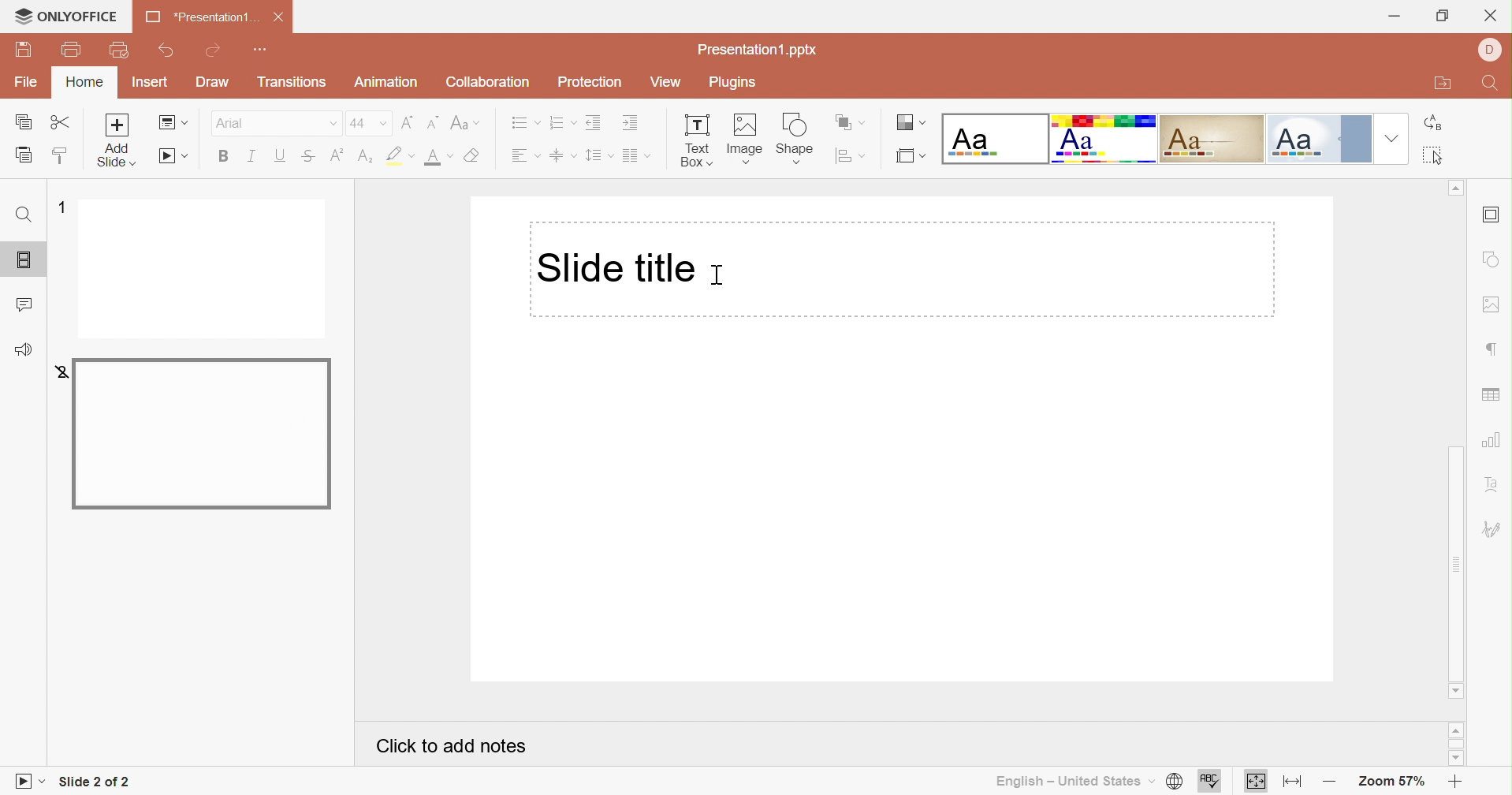 The width and height of the screenshot is (1512, 795). What do you see at coordinates (307, 156) in the screenshot?
I see `Strikethrough` at bounding box center [307, 156].